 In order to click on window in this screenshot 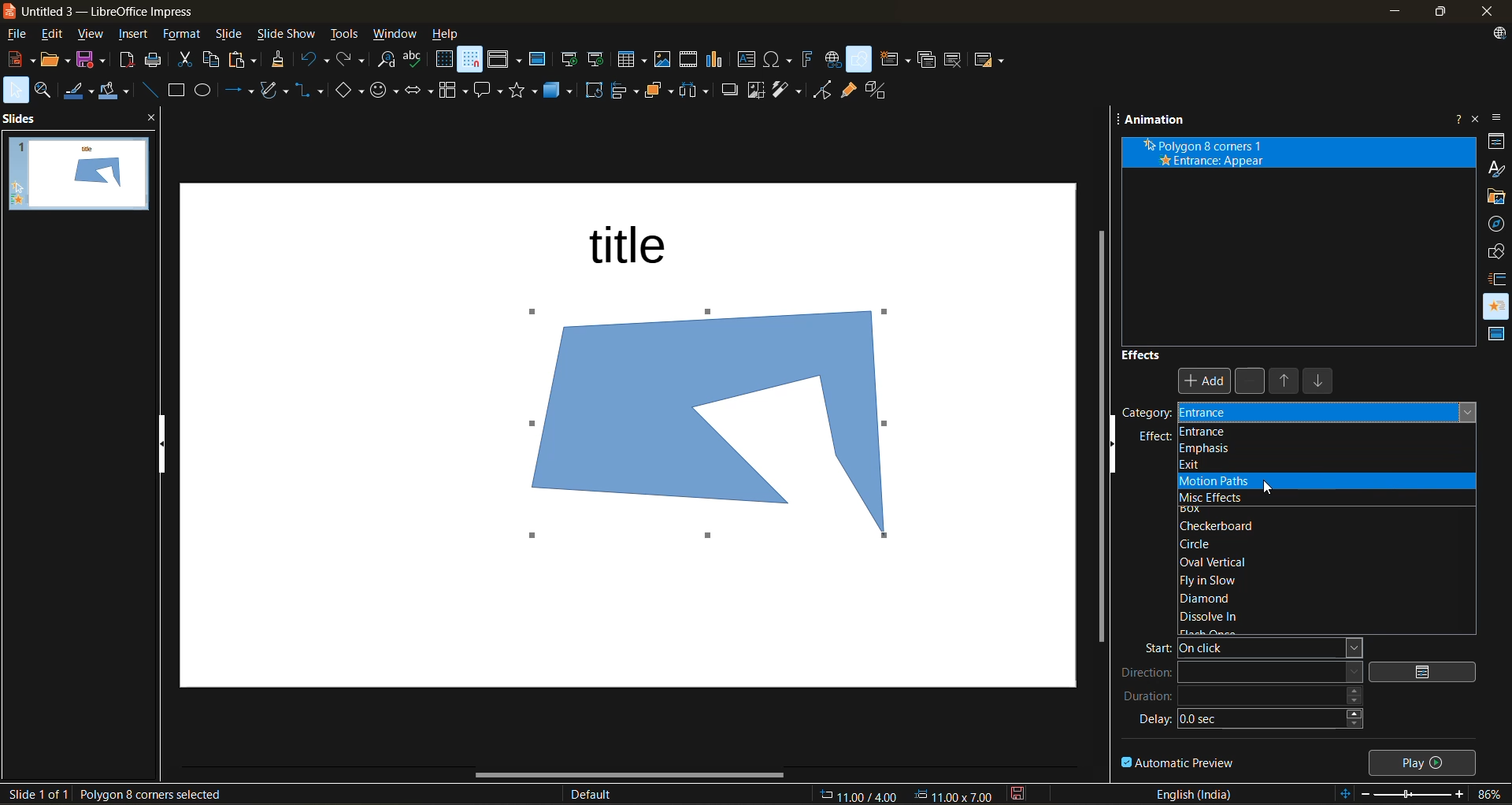, I will do `click(395, 35)`.